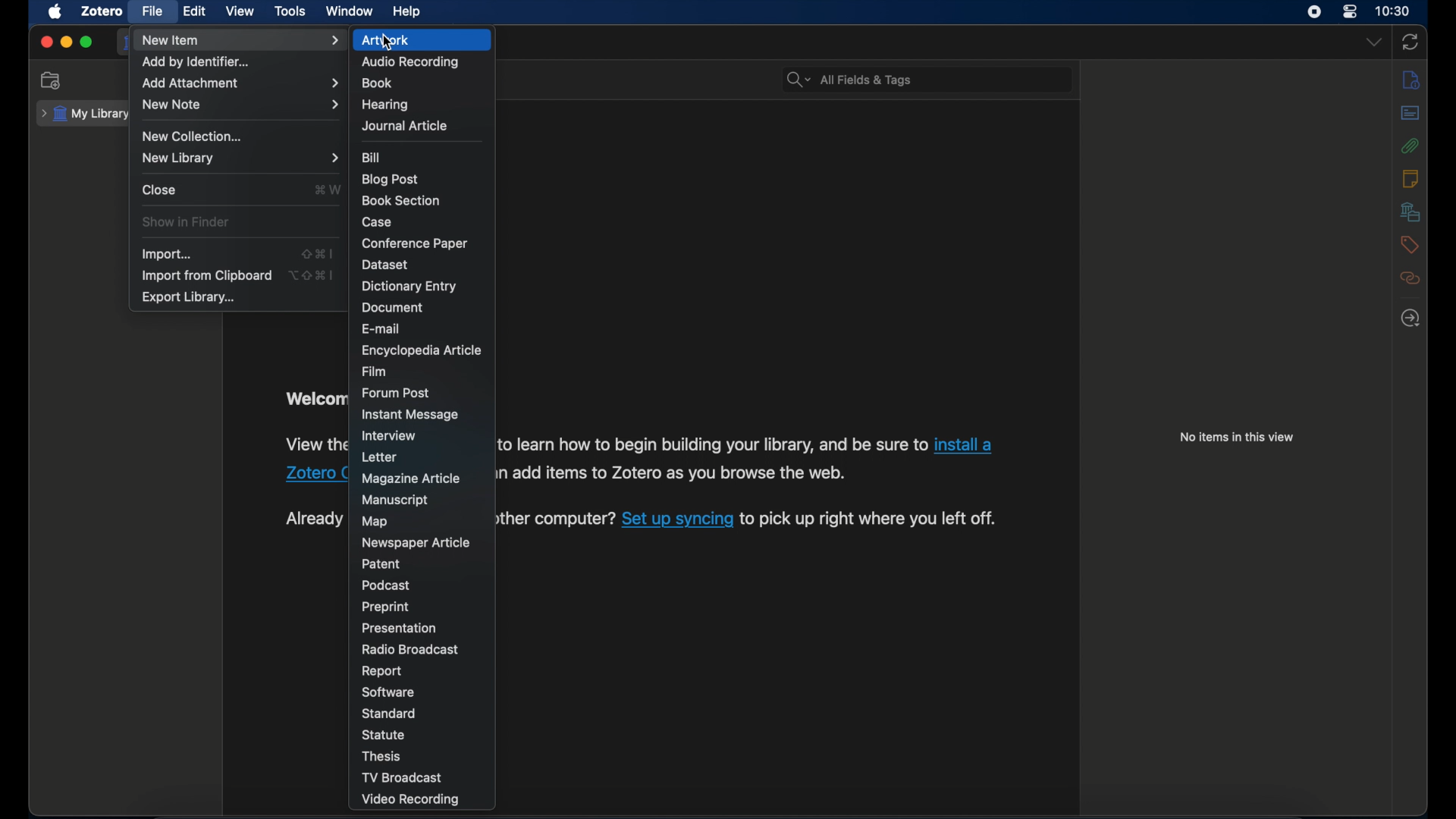  Describe the element at coordinates (423, 350) in the screenshot. I see `encyclopedia article` at that location.